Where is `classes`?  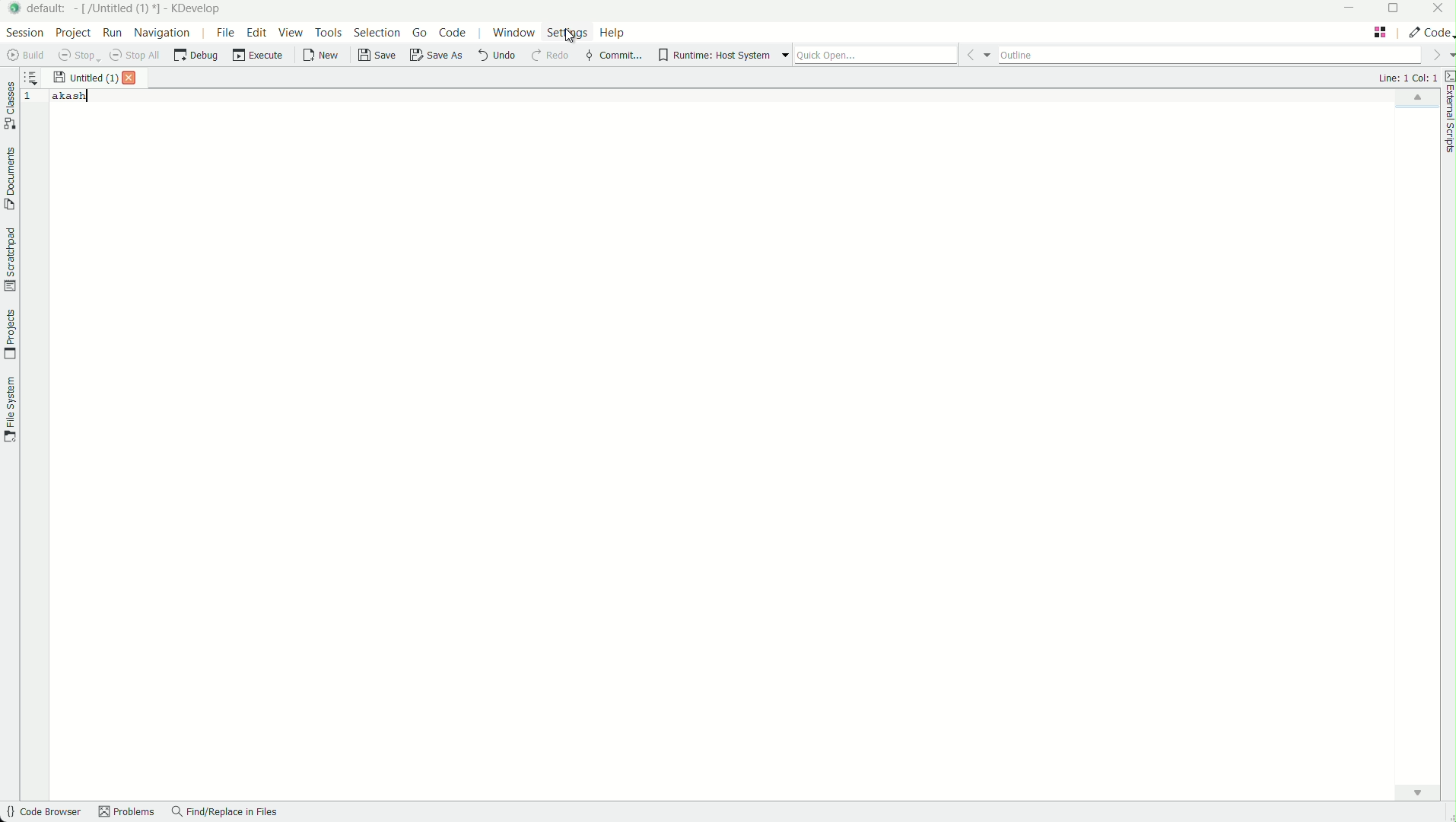 classes is located at coordinates (10, 107).